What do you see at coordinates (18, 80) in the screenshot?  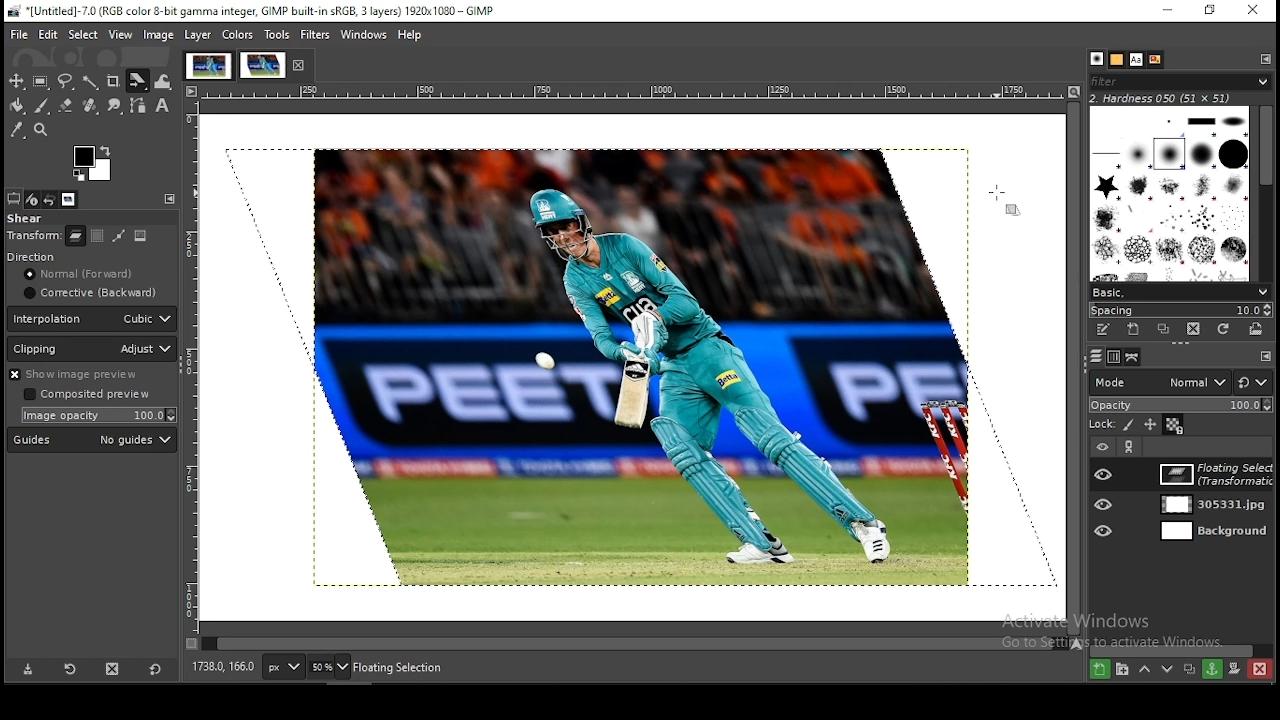 I see `selection tool` at bounding box center [18, 80].